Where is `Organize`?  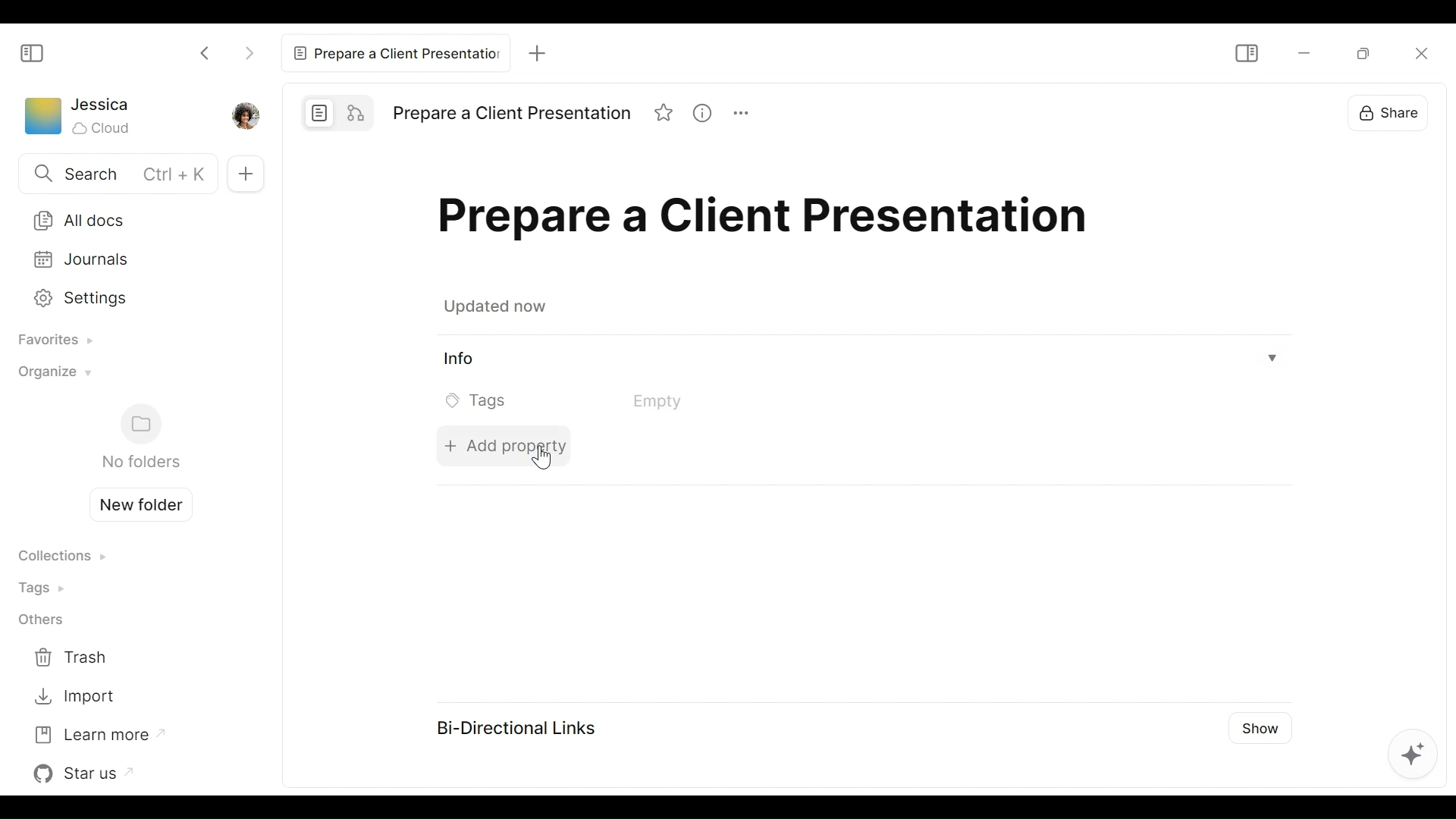 Organize is located at coordinates (51, 376).